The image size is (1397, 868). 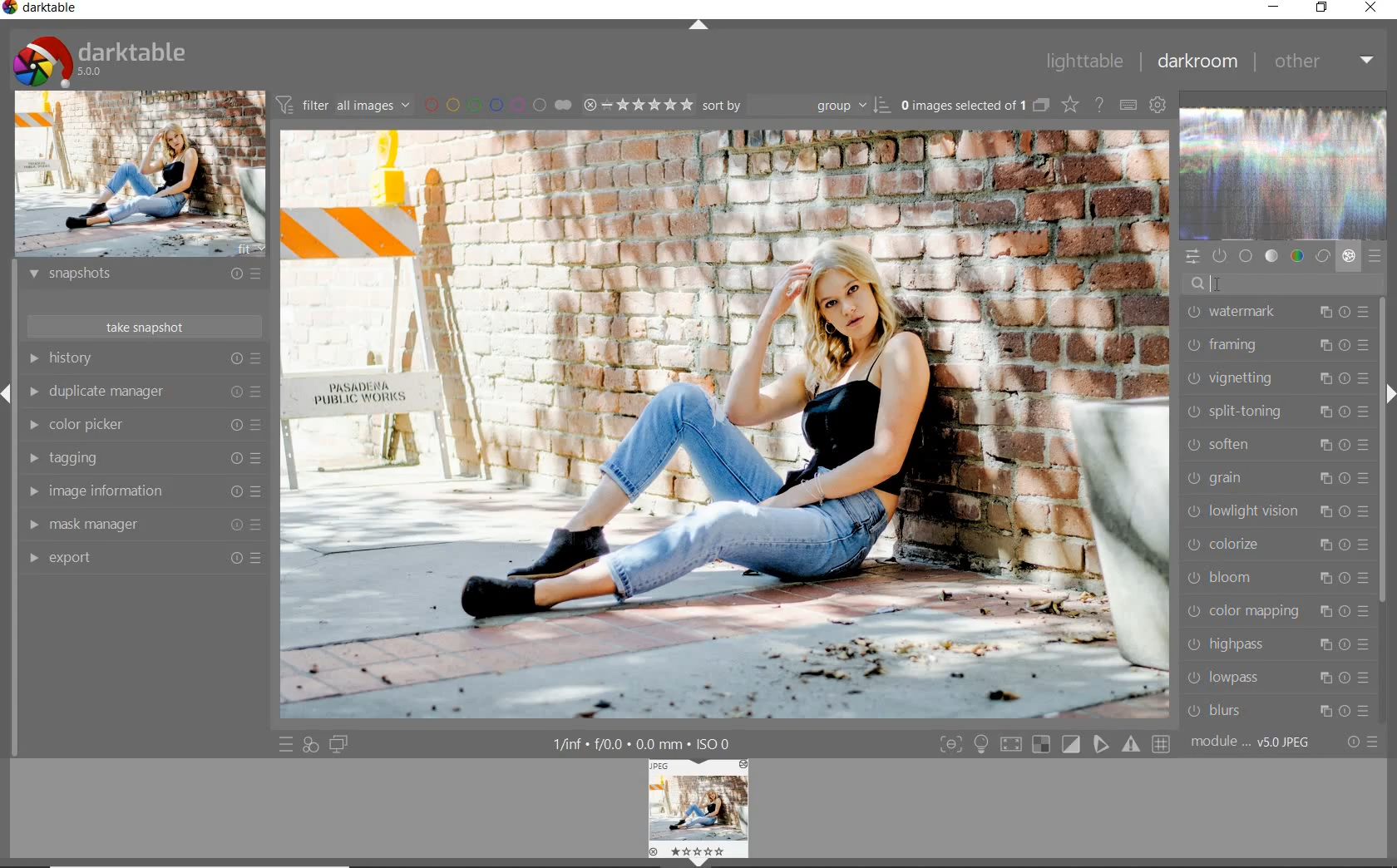 What do you see at coordinates (1276, 577) in the screenshot?
I see `bloom` at bounding box center [1276, 577].